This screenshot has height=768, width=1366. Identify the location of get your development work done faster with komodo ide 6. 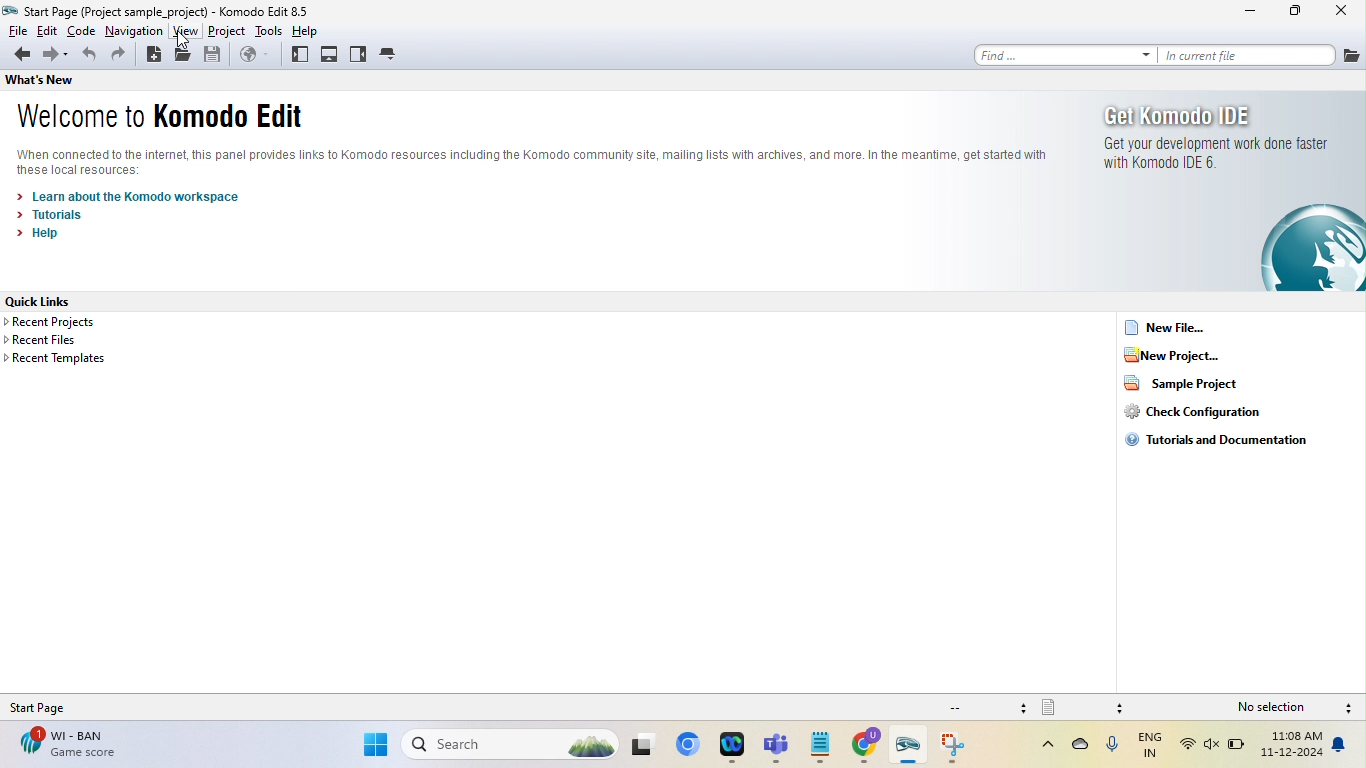
(1211, 161).